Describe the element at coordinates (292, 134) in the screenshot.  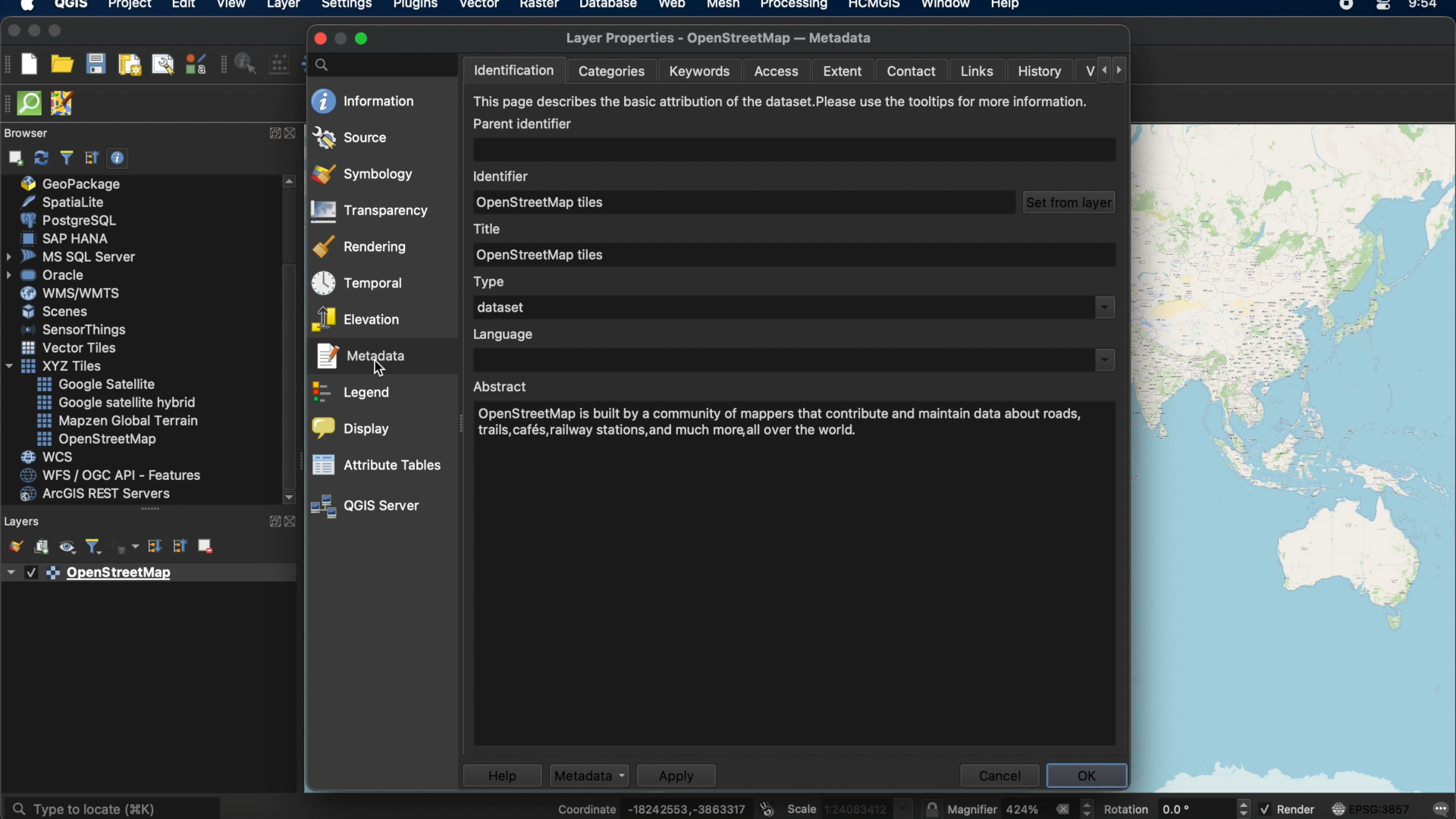
I see `CONTRACT` at that location.